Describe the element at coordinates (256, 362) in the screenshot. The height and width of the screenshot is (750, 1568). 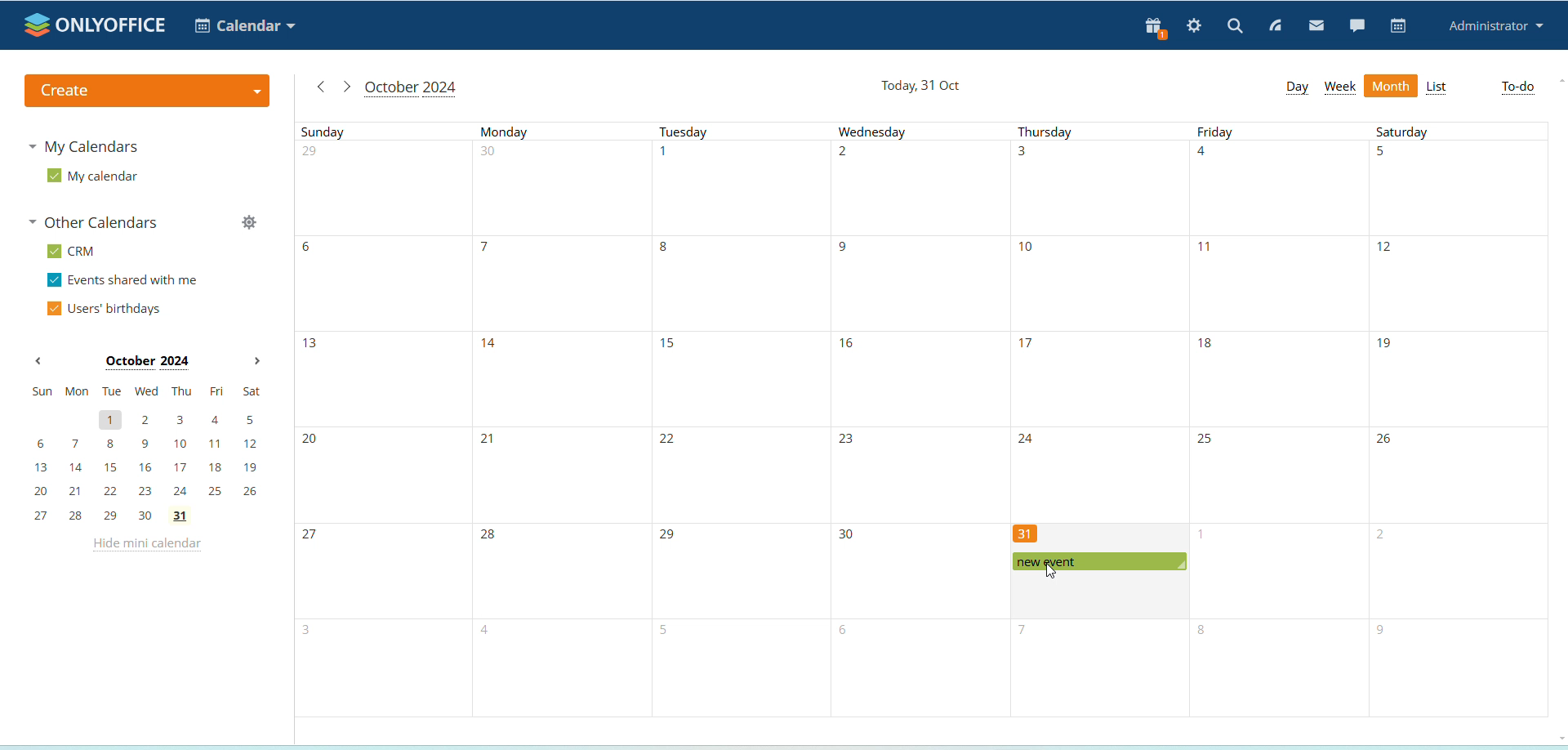
I see `next month` at that location.